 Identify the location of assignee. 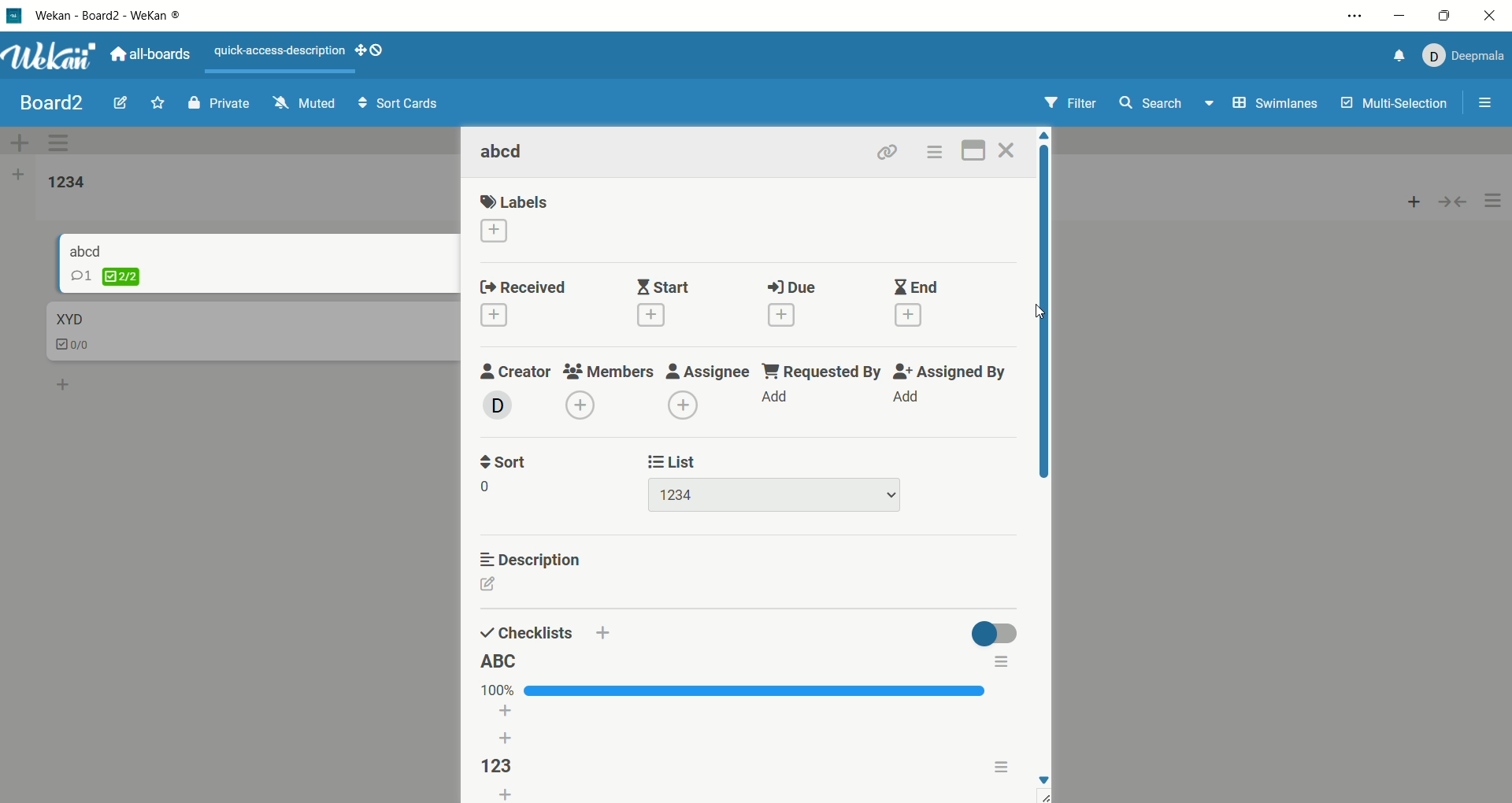
(706, 369).